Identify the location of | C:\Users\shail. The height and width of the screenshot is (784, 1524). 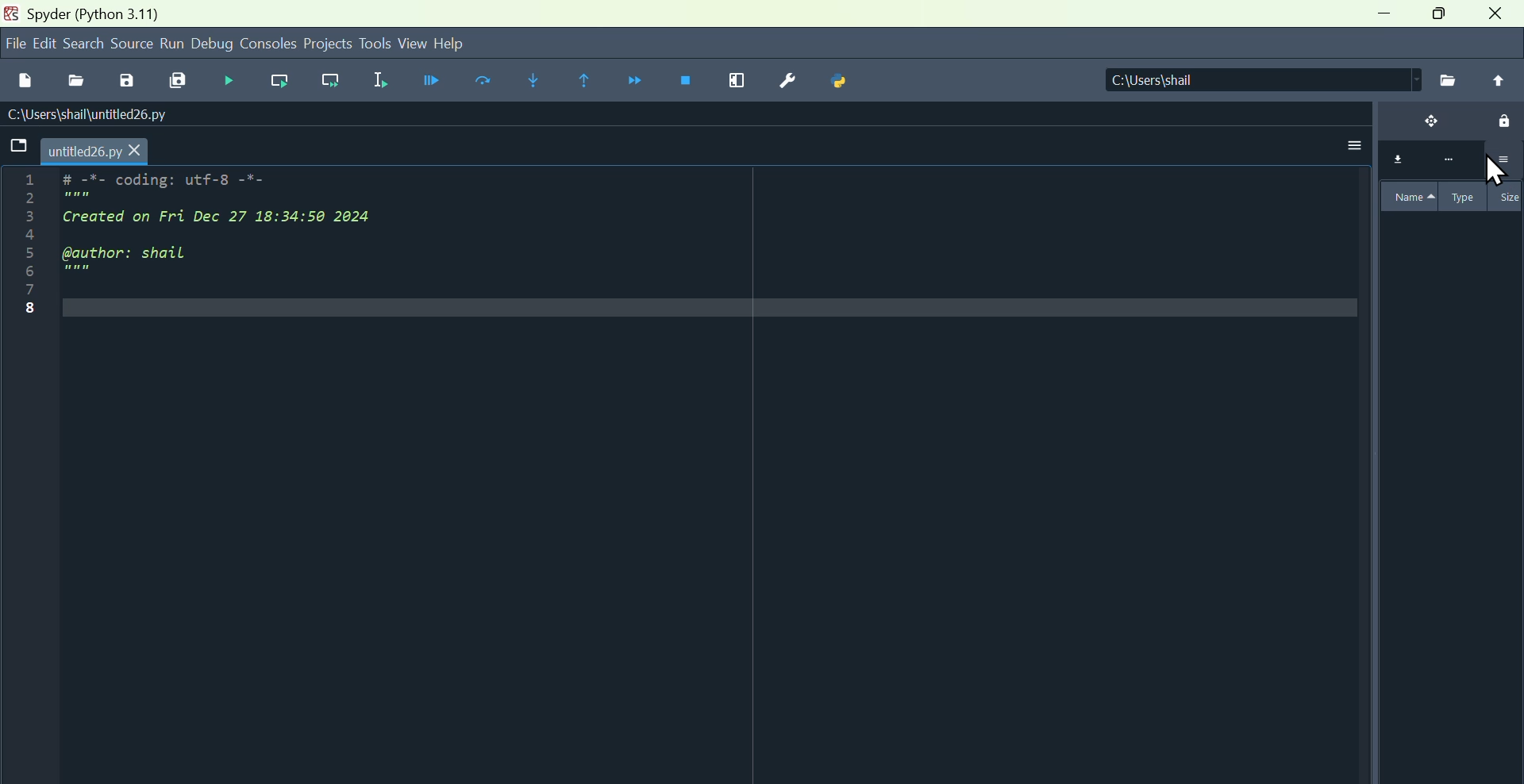
(1242, 81).